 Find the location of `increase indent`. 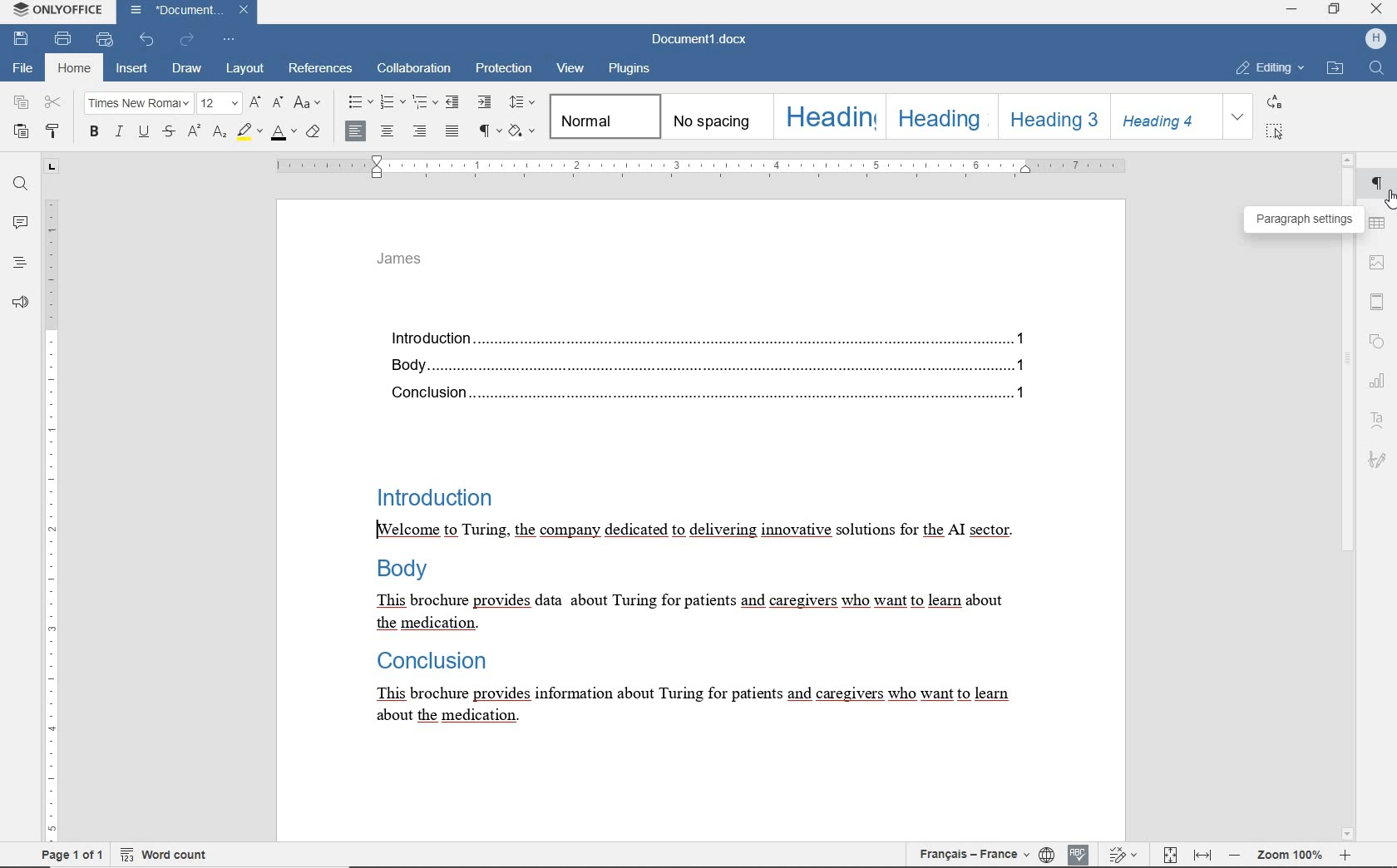

increase indent is located at coordinates (485, 103).